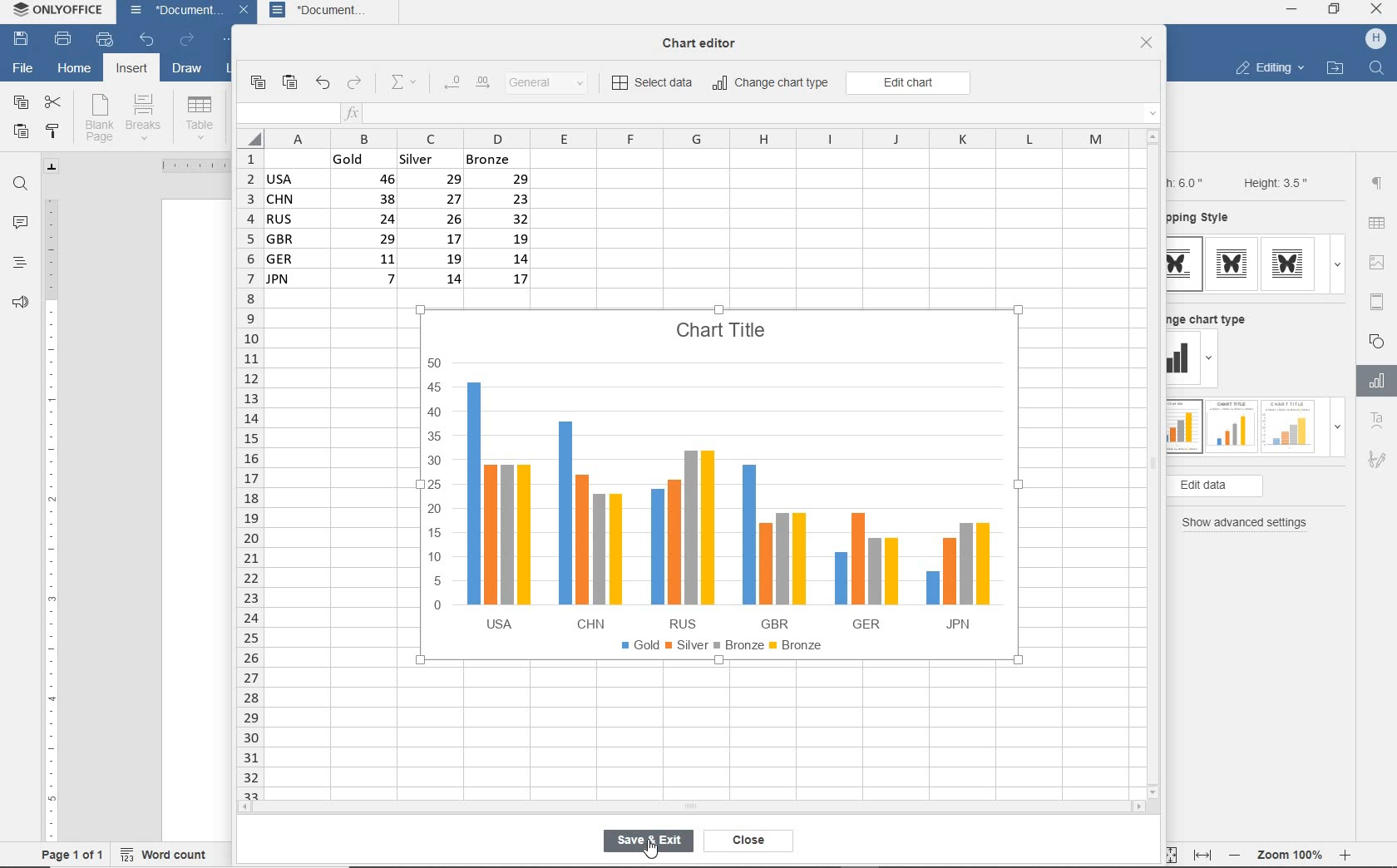 Image resolution: width=1397 pixels, height=868 pixels. What do you see at coordinates (1293, 852) in the screenshot?
I see `zoom 100%` at bounding box center [1293, 852].